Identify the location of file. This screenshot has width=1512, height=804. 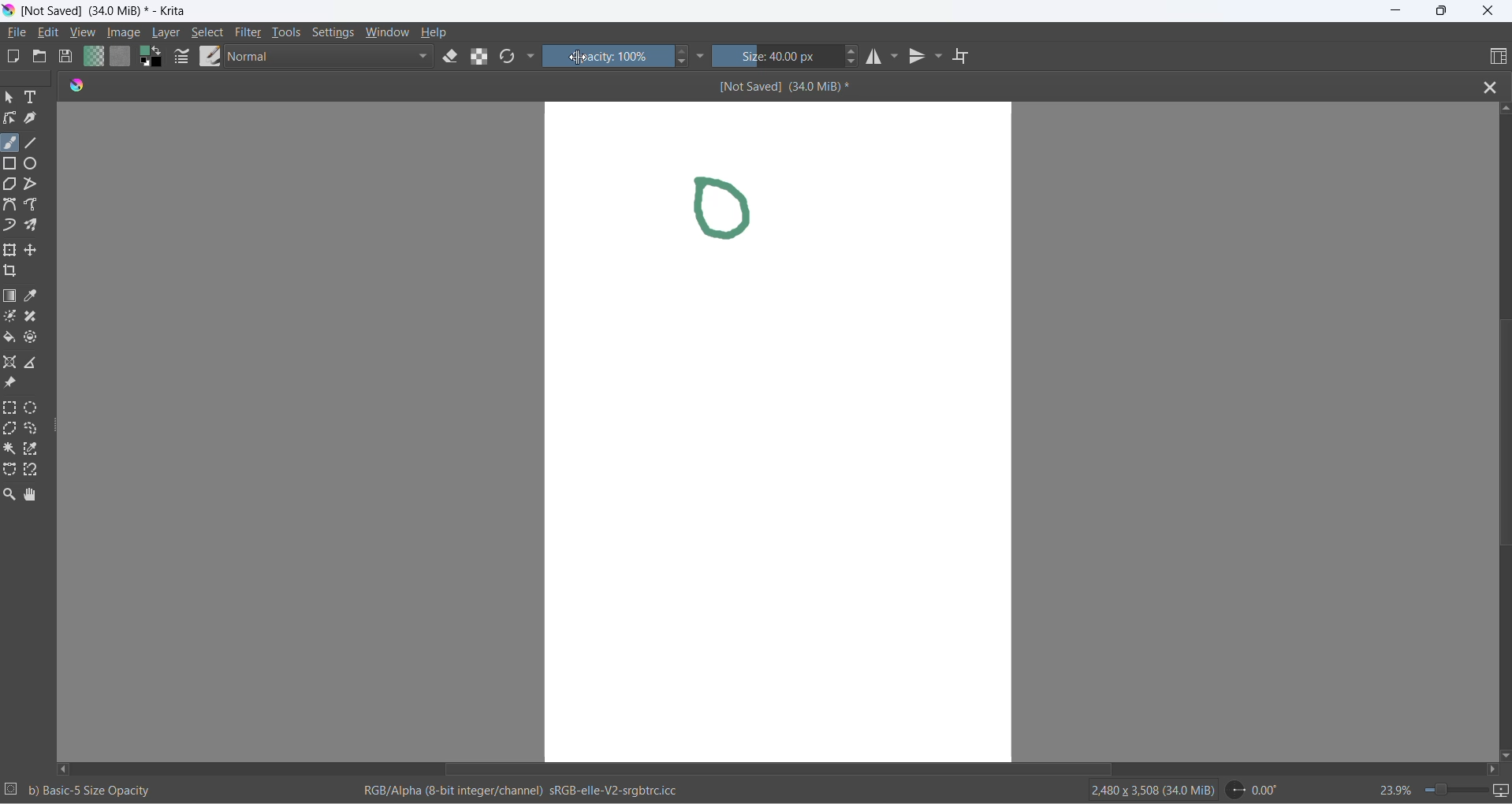
(22, 34).